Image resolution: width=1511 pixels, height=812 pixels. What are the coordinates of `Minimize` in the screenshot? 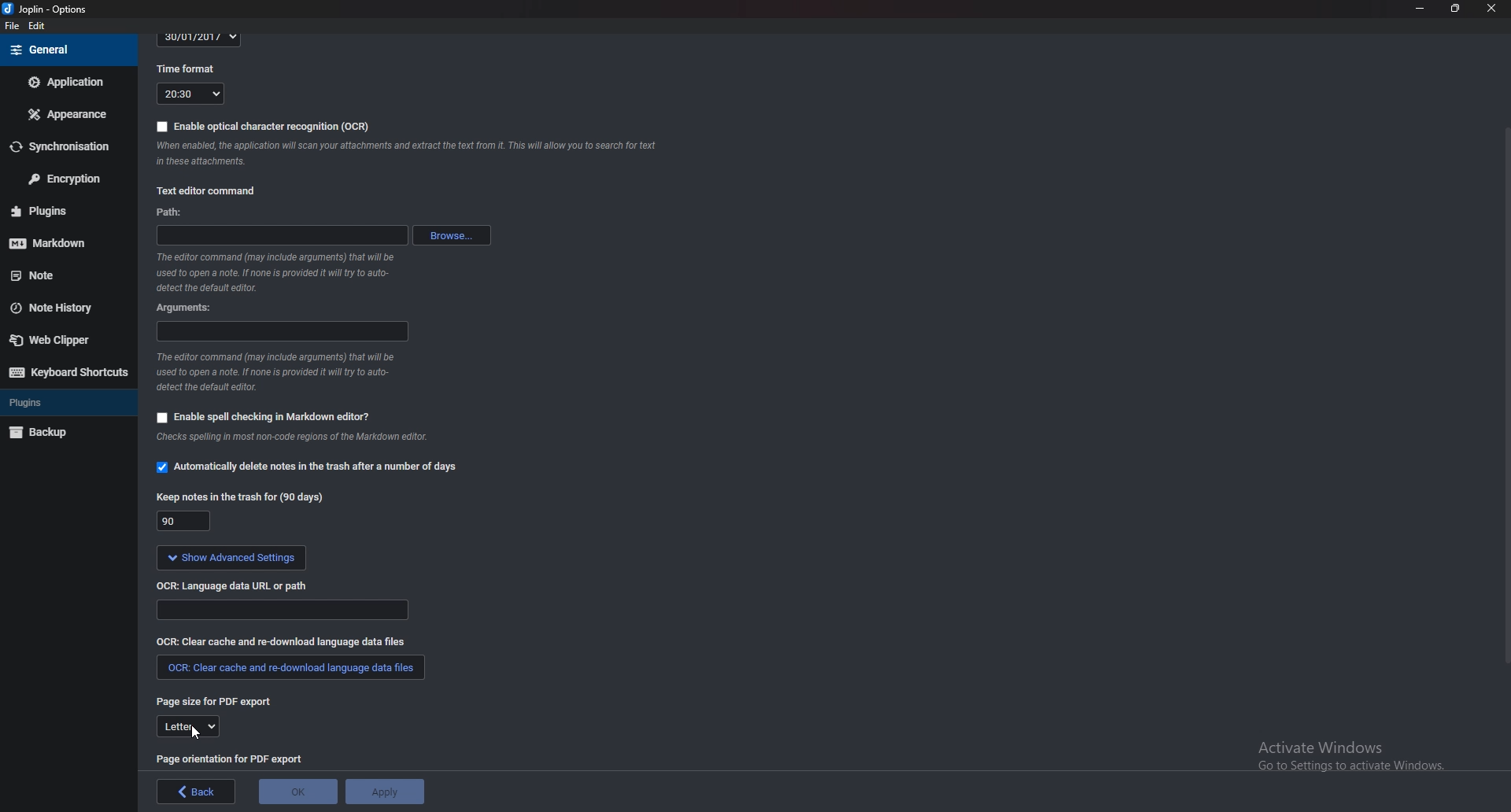 It's located at (1420, 8).